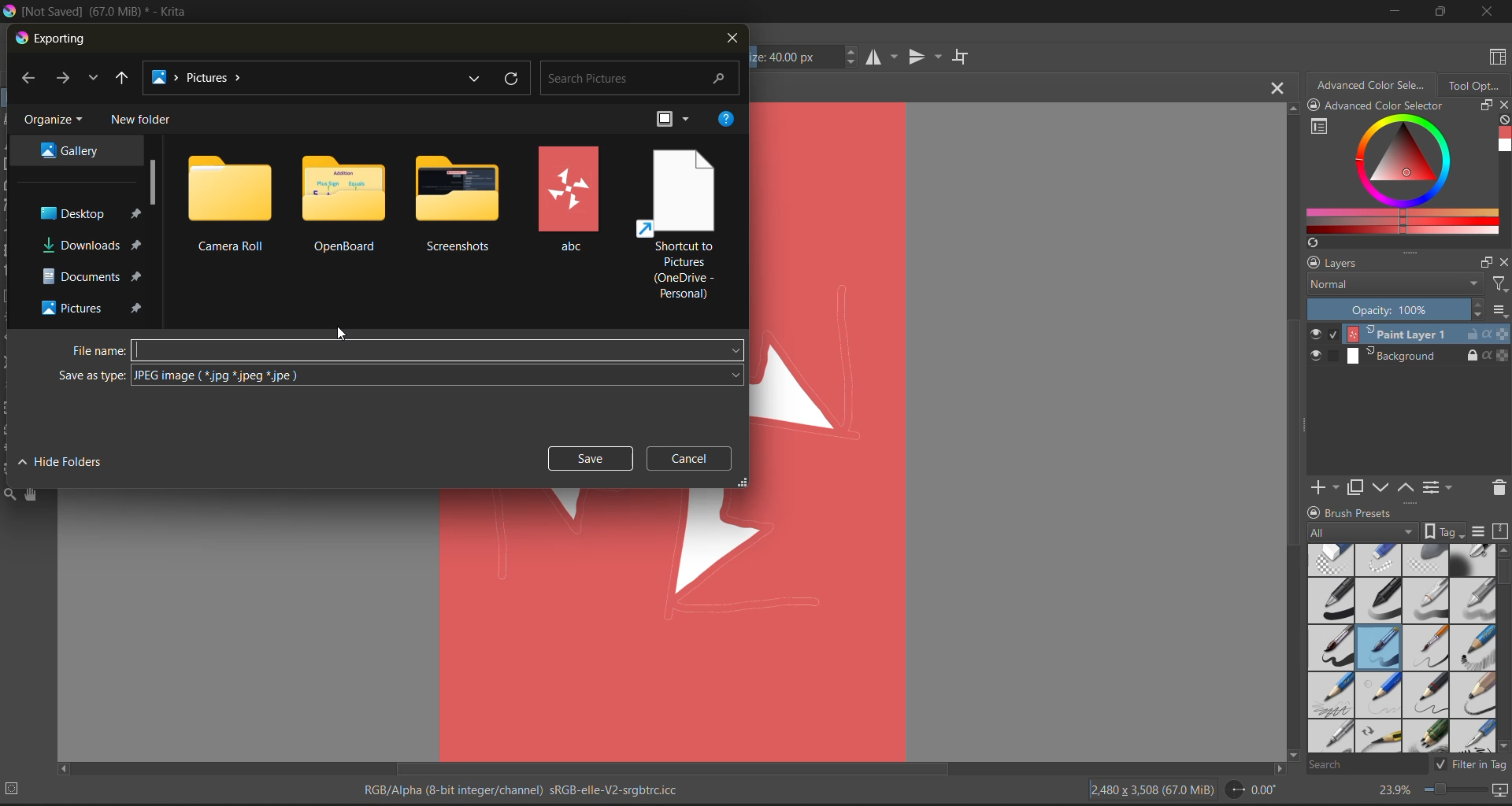 The height and width of the screenshot is (806, 1512). What do you see at coordinates (1481, 532) in the screenshot?
I see `display settings` at bounding box center [1481, 532].